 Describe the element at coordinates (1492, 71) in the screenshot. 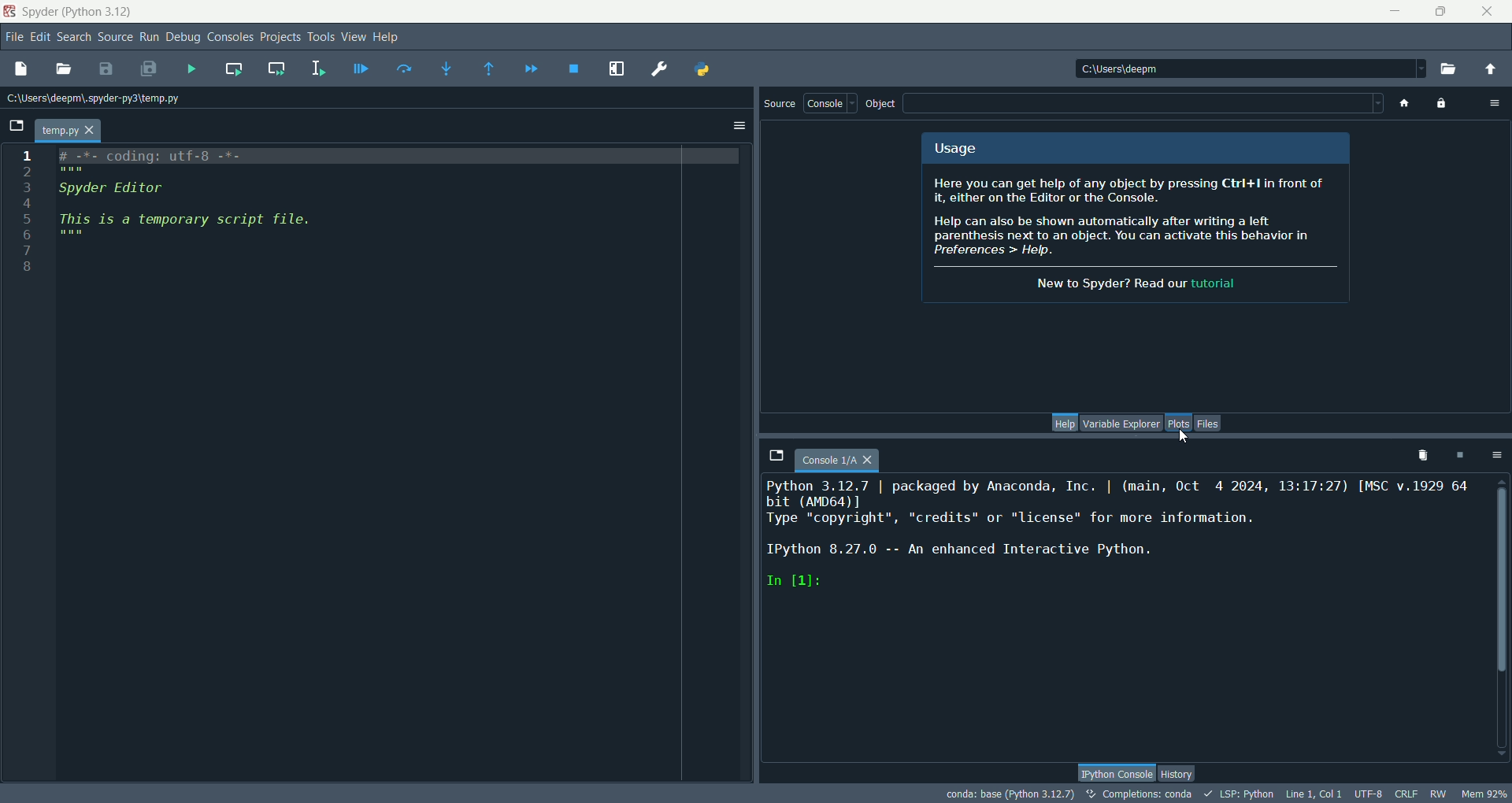

I see `parent directory` at that location.